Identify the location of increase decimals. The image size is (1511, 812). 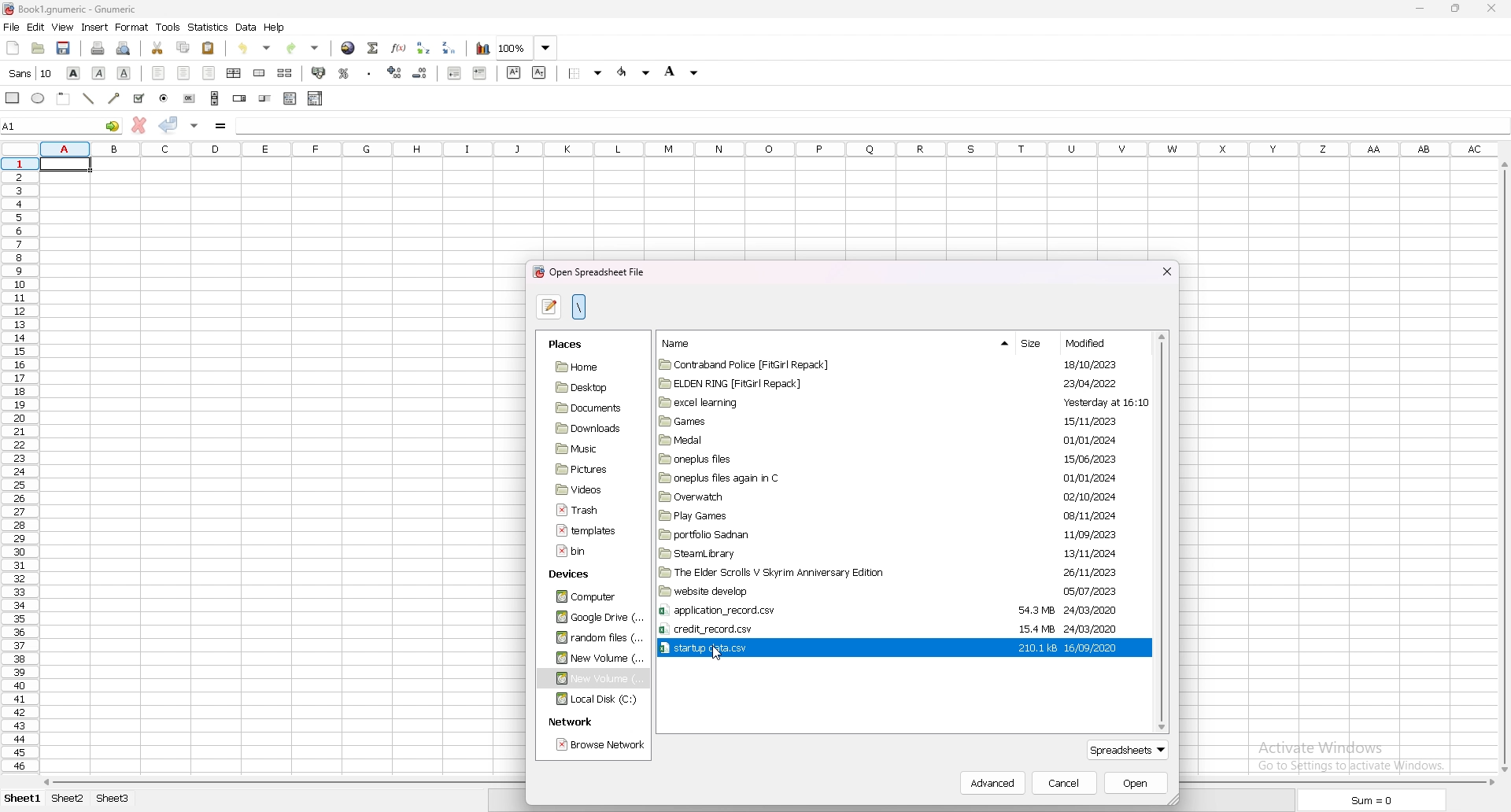
(395, 72).